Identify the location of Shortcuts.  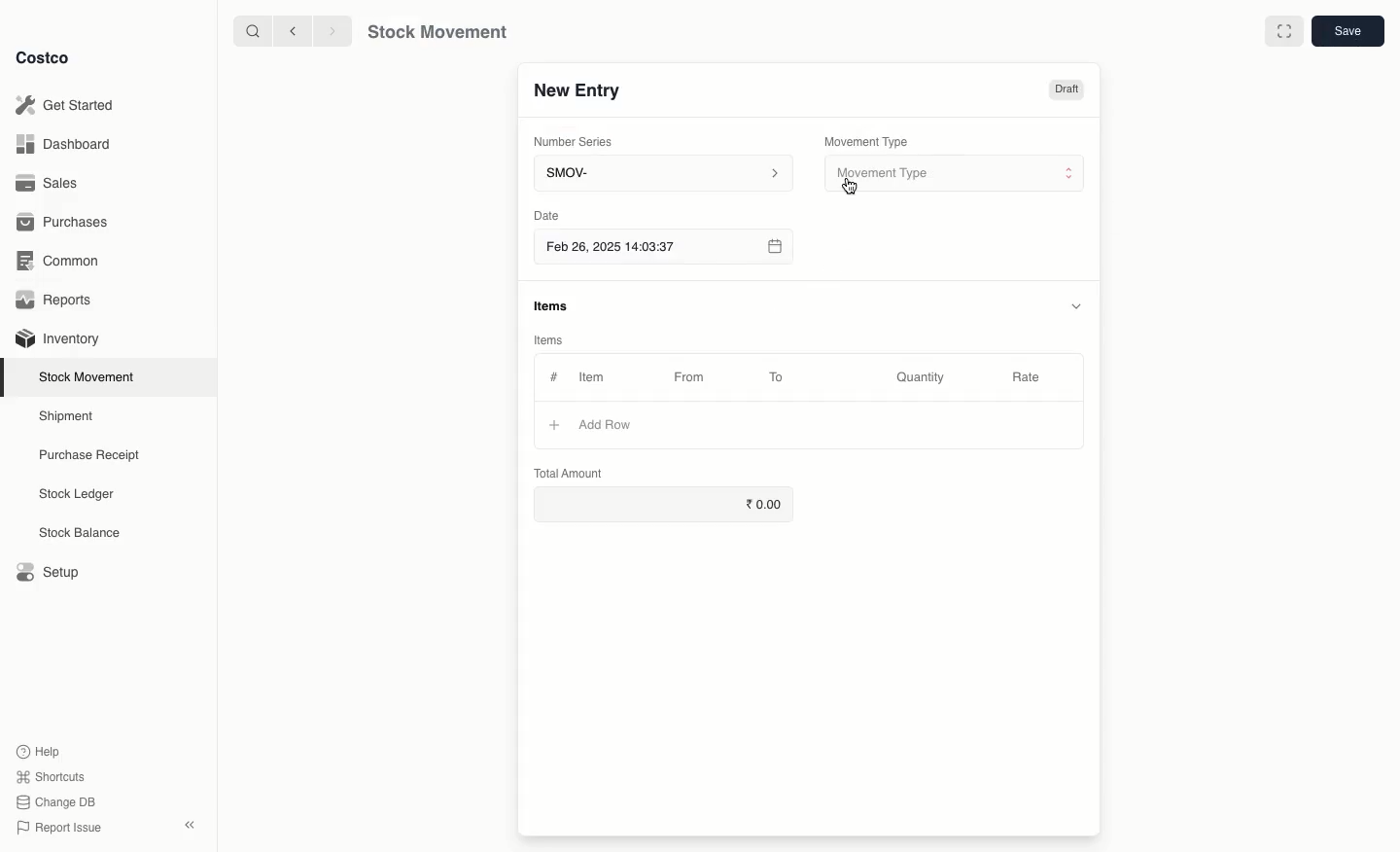
(51, 774).